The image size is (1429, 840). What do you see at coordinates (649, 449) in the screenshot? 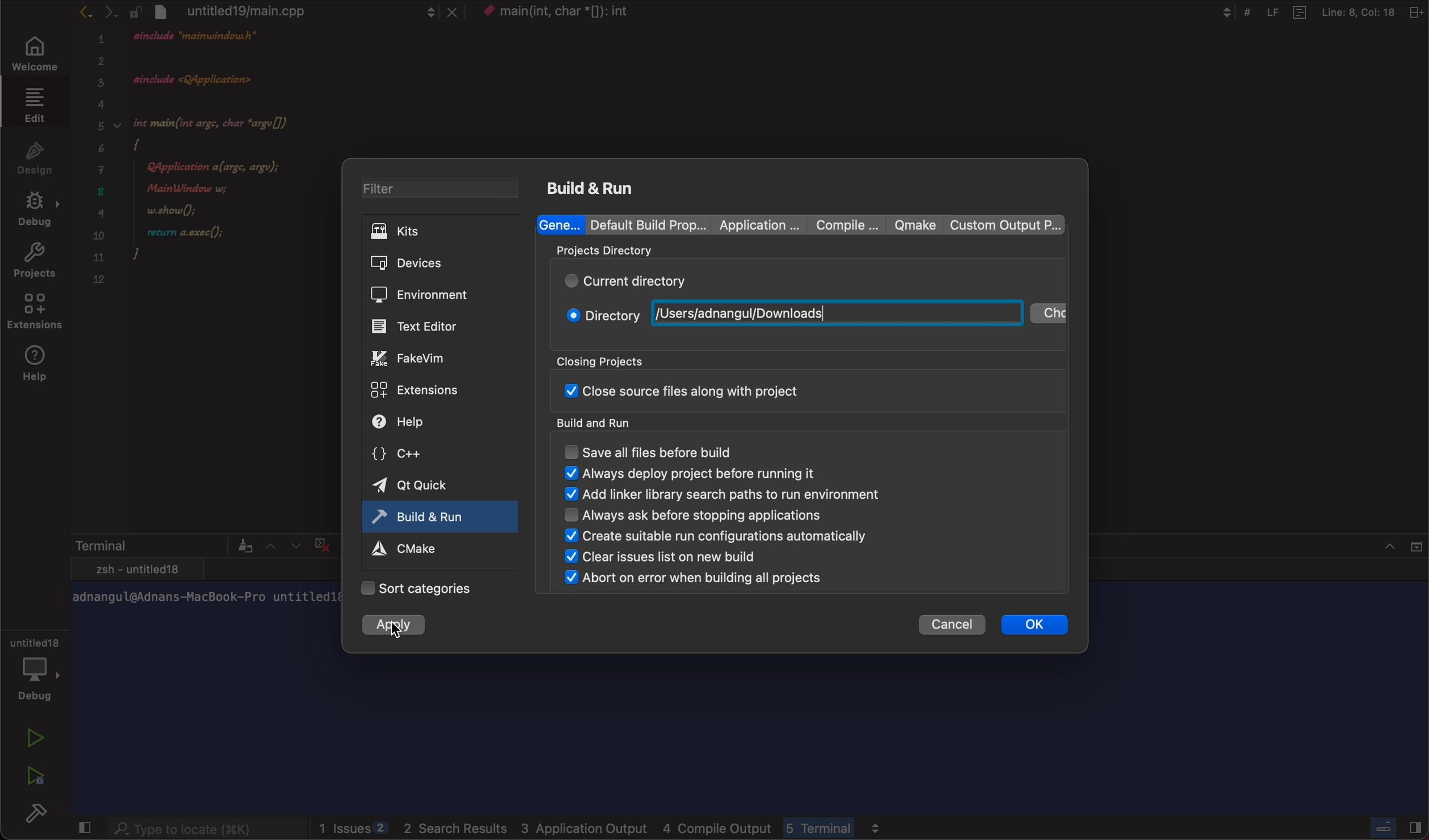
I see `save all` at bounding box center [649, 449].